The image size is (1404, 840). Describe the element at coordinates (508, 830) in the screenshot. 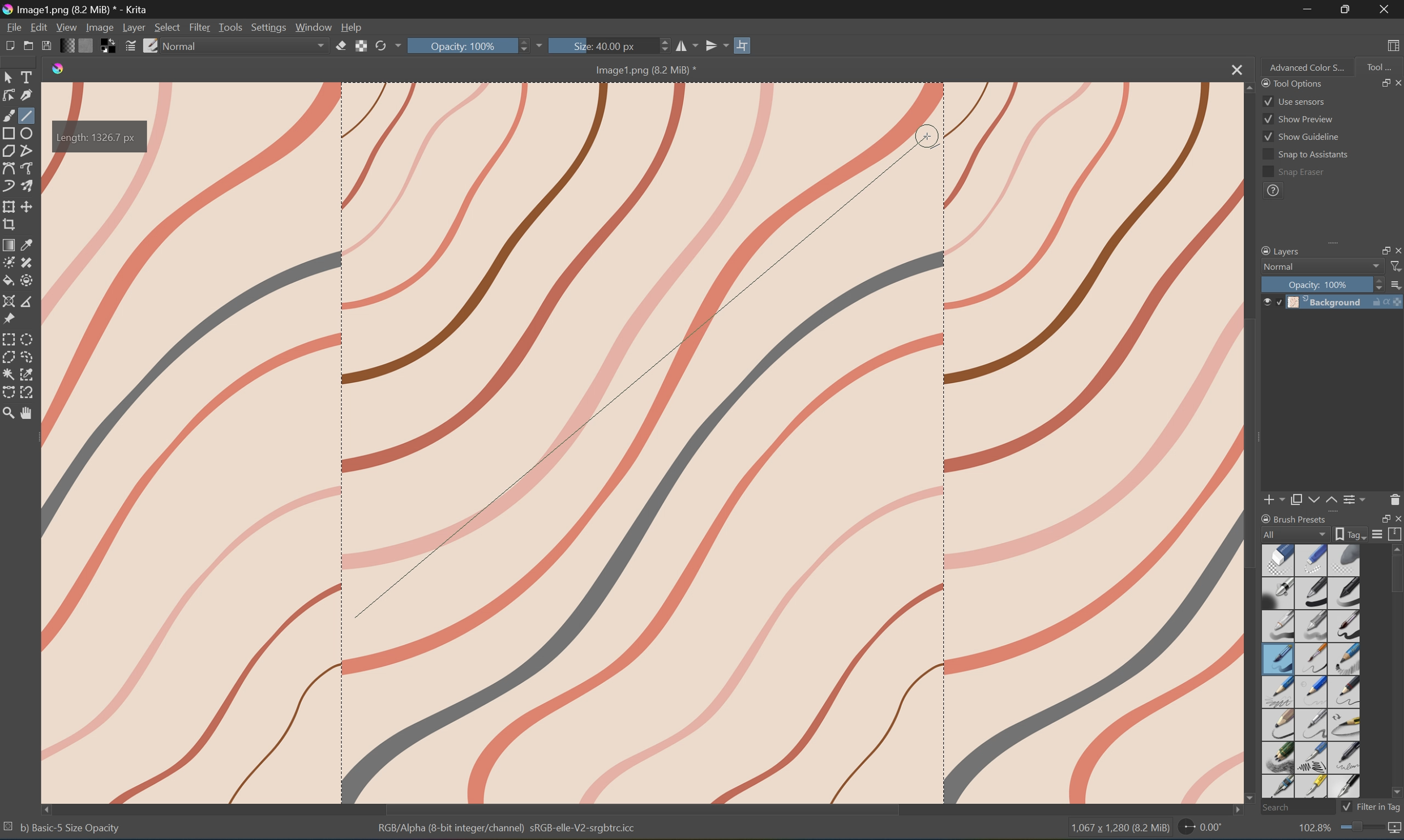

I see `RGB Alpha (8-bit integer/channel) sRGB-elle-V2-srgbcicc` at that location.